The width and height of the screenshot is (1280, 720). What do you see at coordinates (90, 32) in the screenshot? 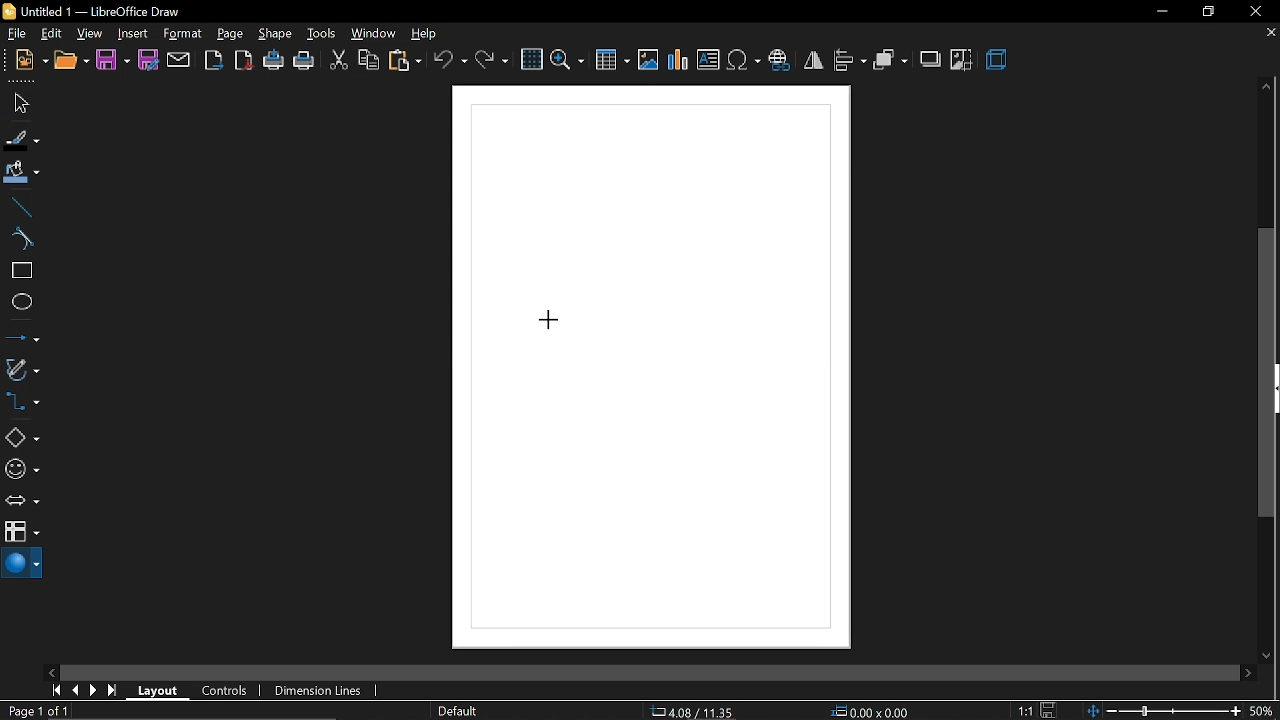
I see `view` at bounding box center [90, 32].